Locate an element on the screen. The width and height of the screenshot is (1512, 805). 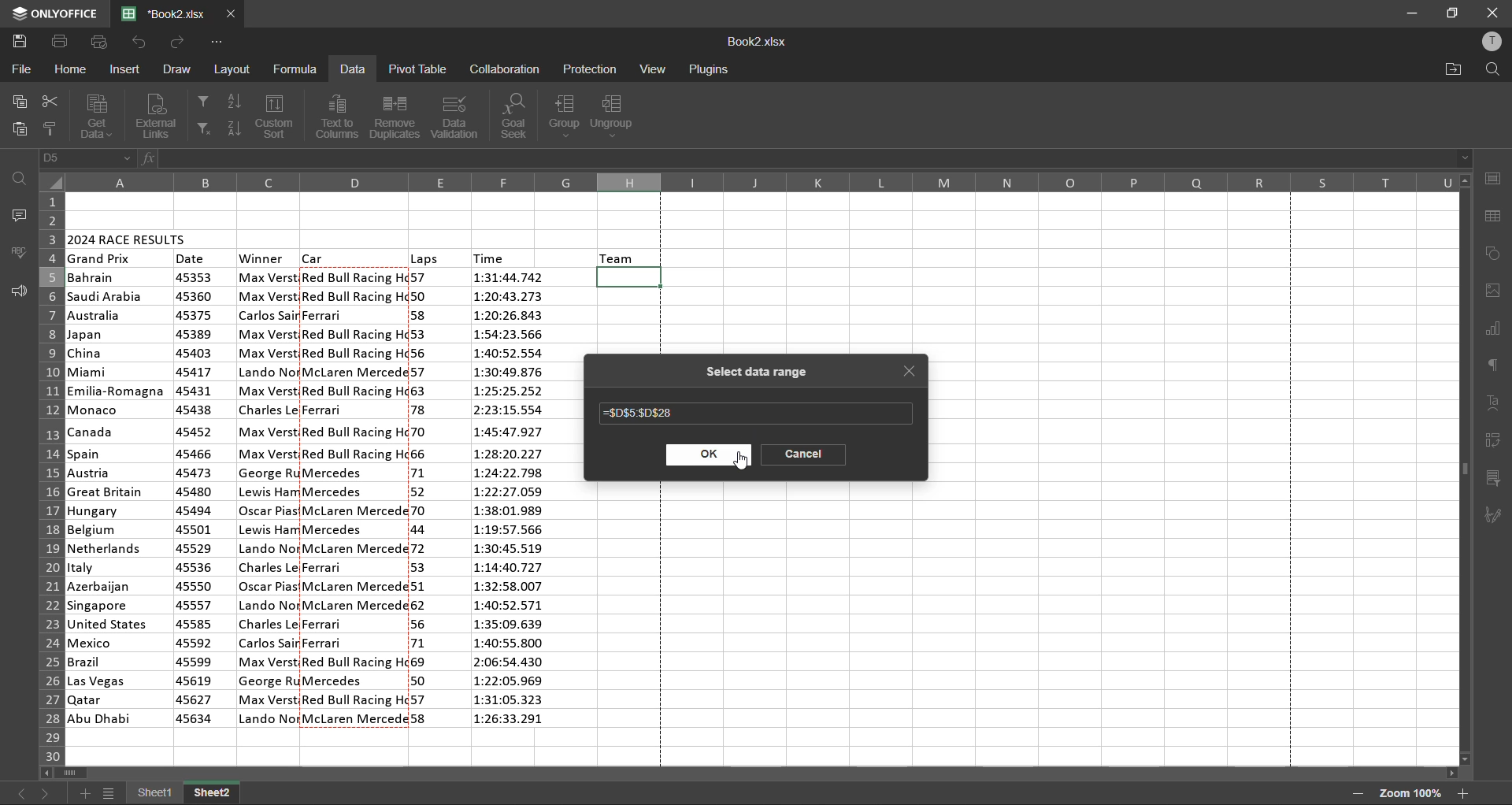
scrollbar is located at coordinates (1465, 469).